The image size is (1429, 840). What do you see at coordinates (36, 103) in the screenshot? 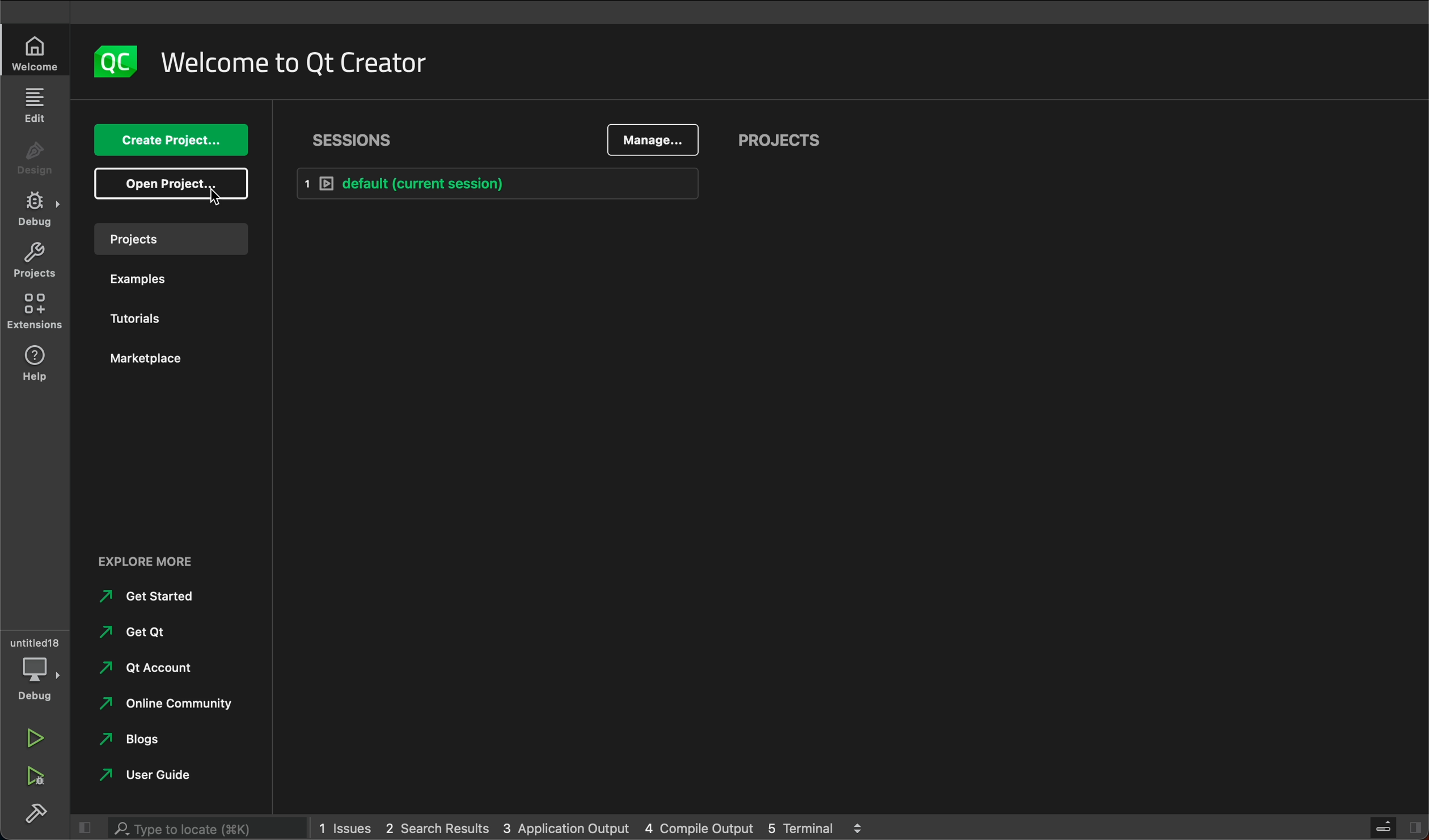
I see `edit` at bounding box center [36, 103].